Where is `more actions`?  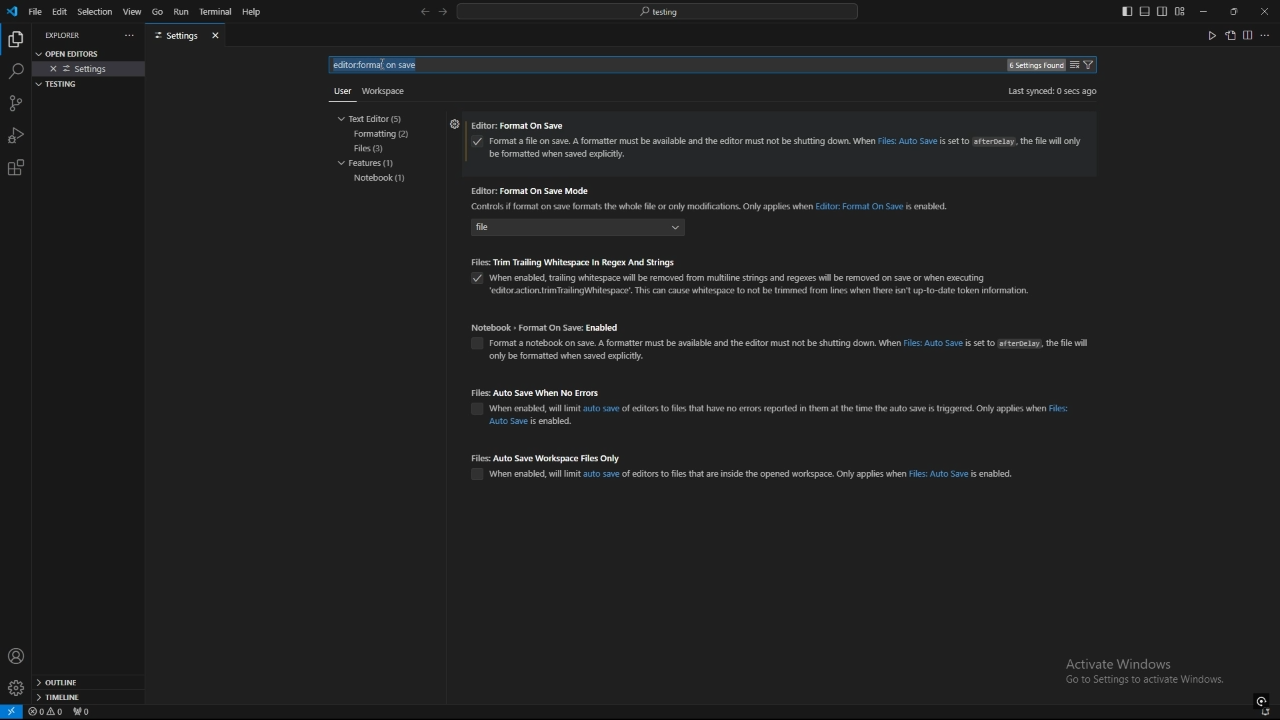
more actions is located at coordinates (127, 36).